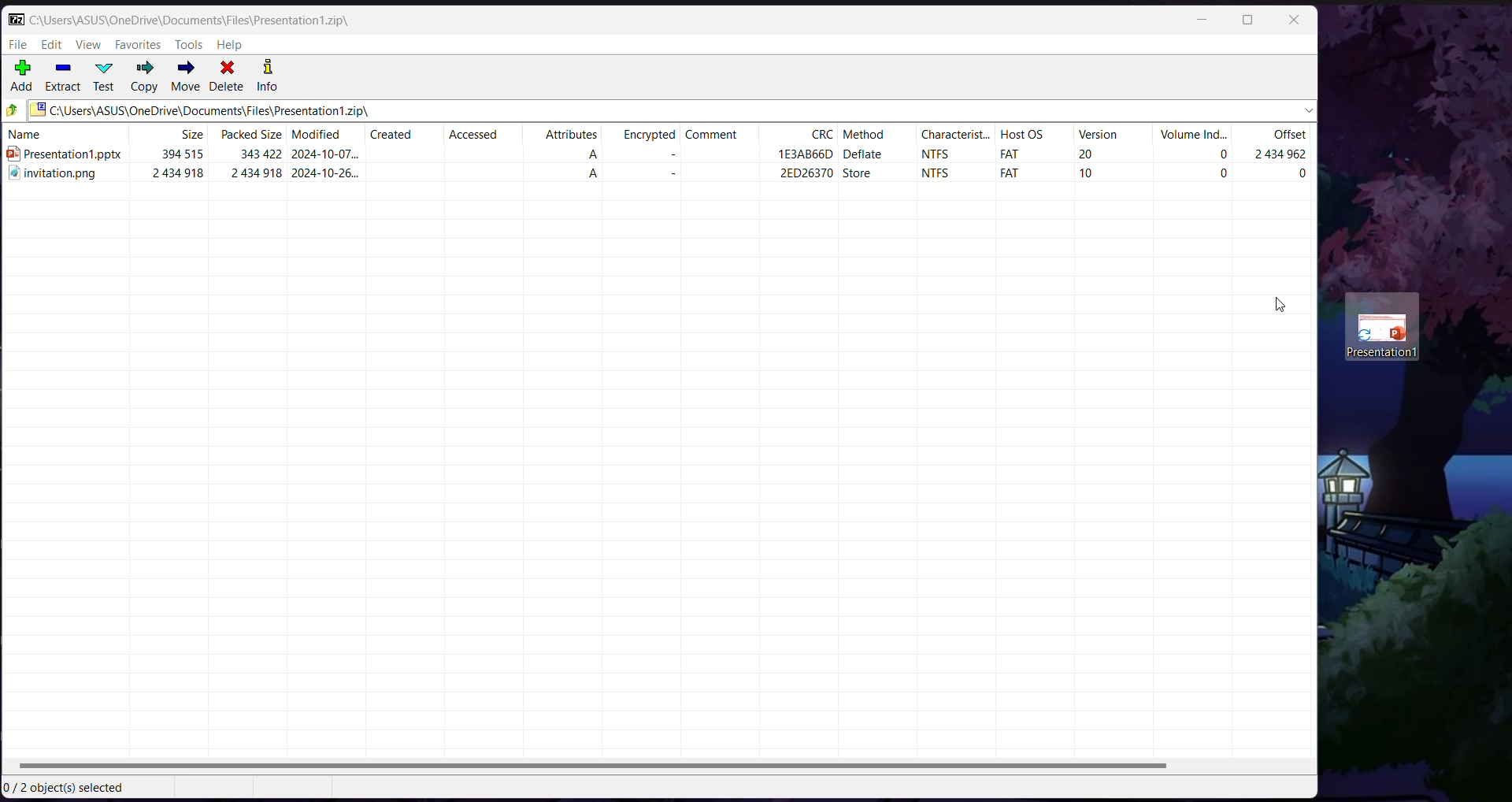 The height and width of the screenshot is (802, 1512). I want to click on  2024-10-26..., so click(329, 176).